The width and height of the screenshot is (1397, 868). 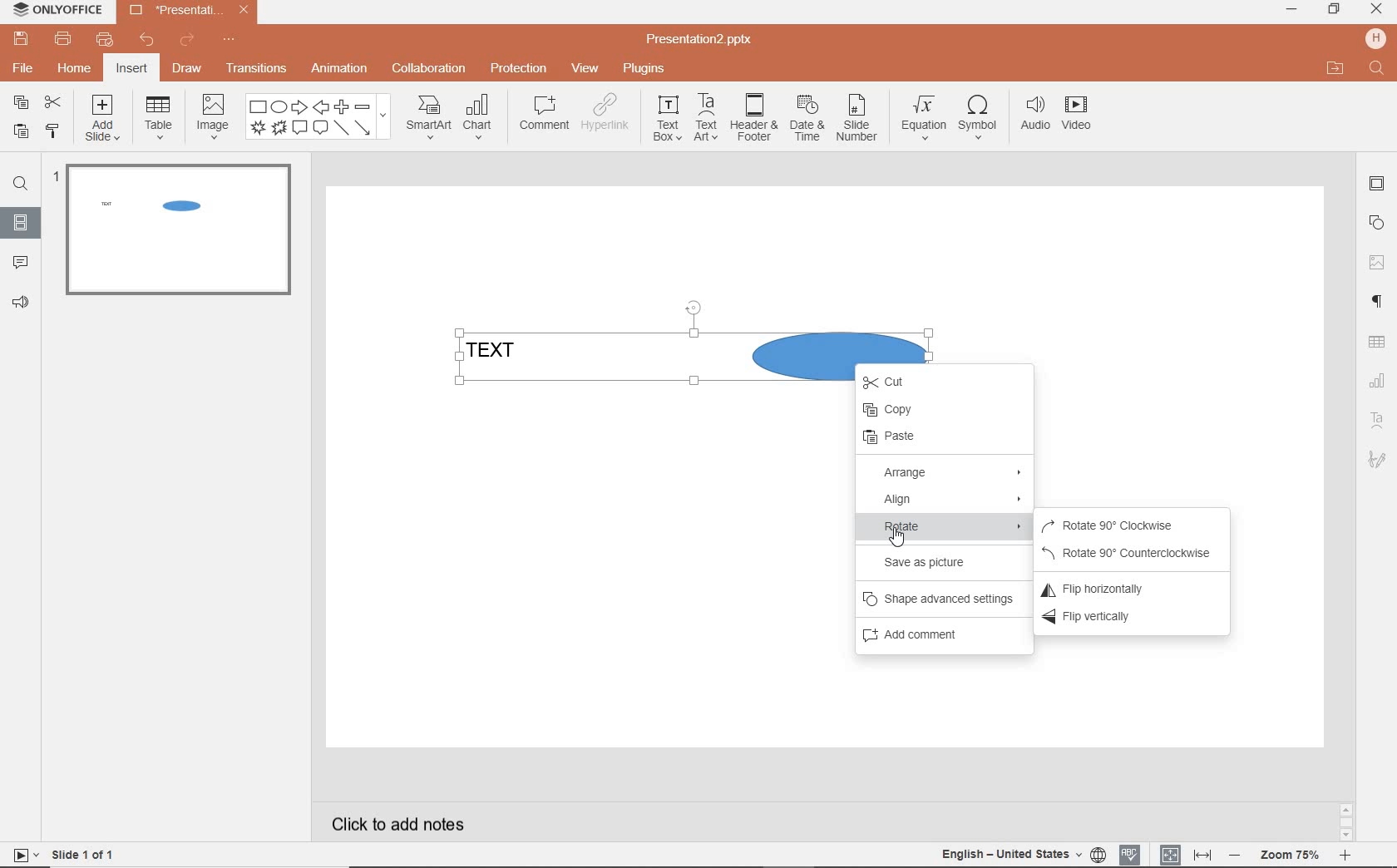 I want to click on audio, so click(x=1032, y=117).